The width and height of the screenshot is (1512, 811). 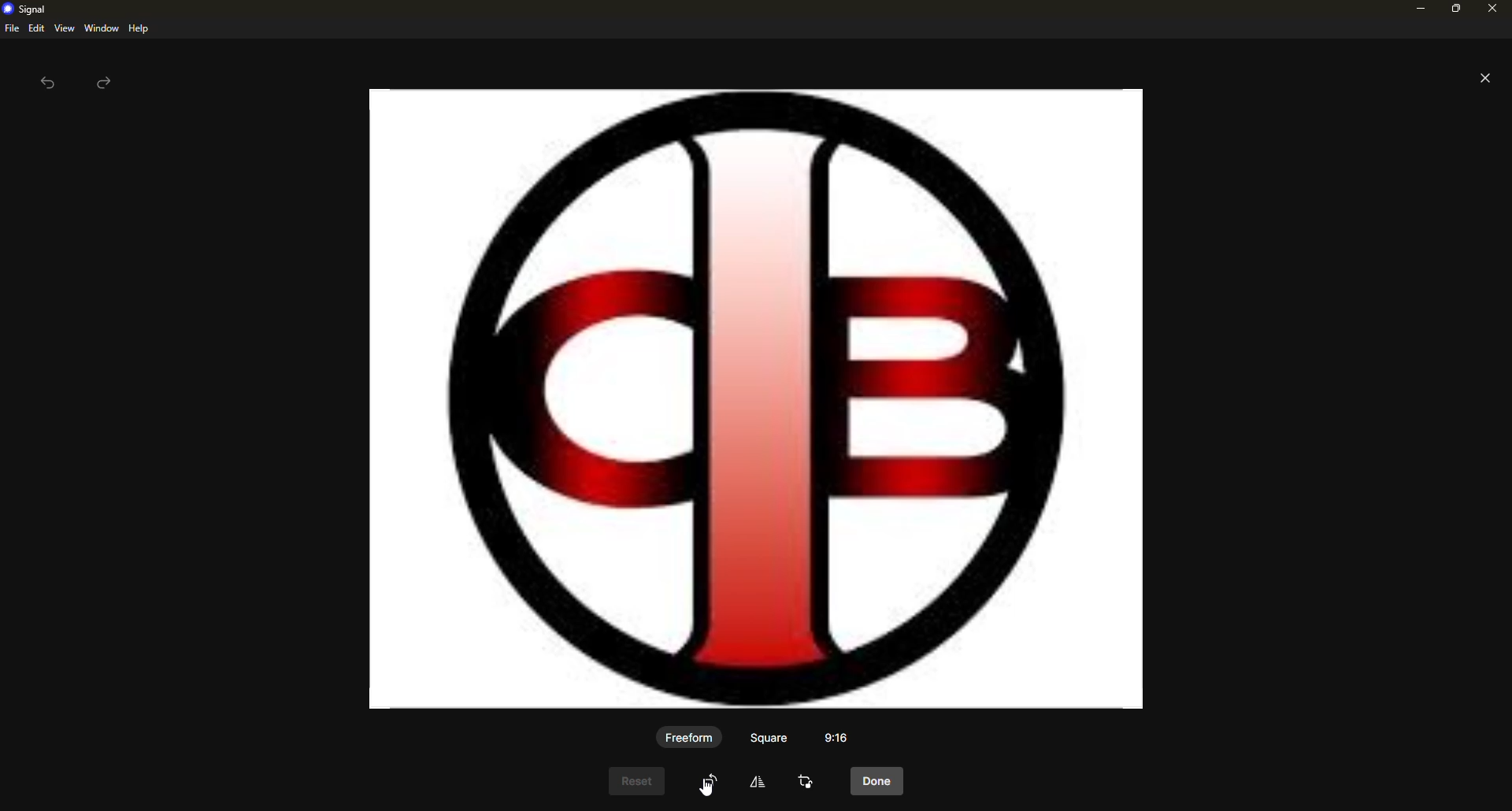 I want to click on square, so click(x=770, y=737).